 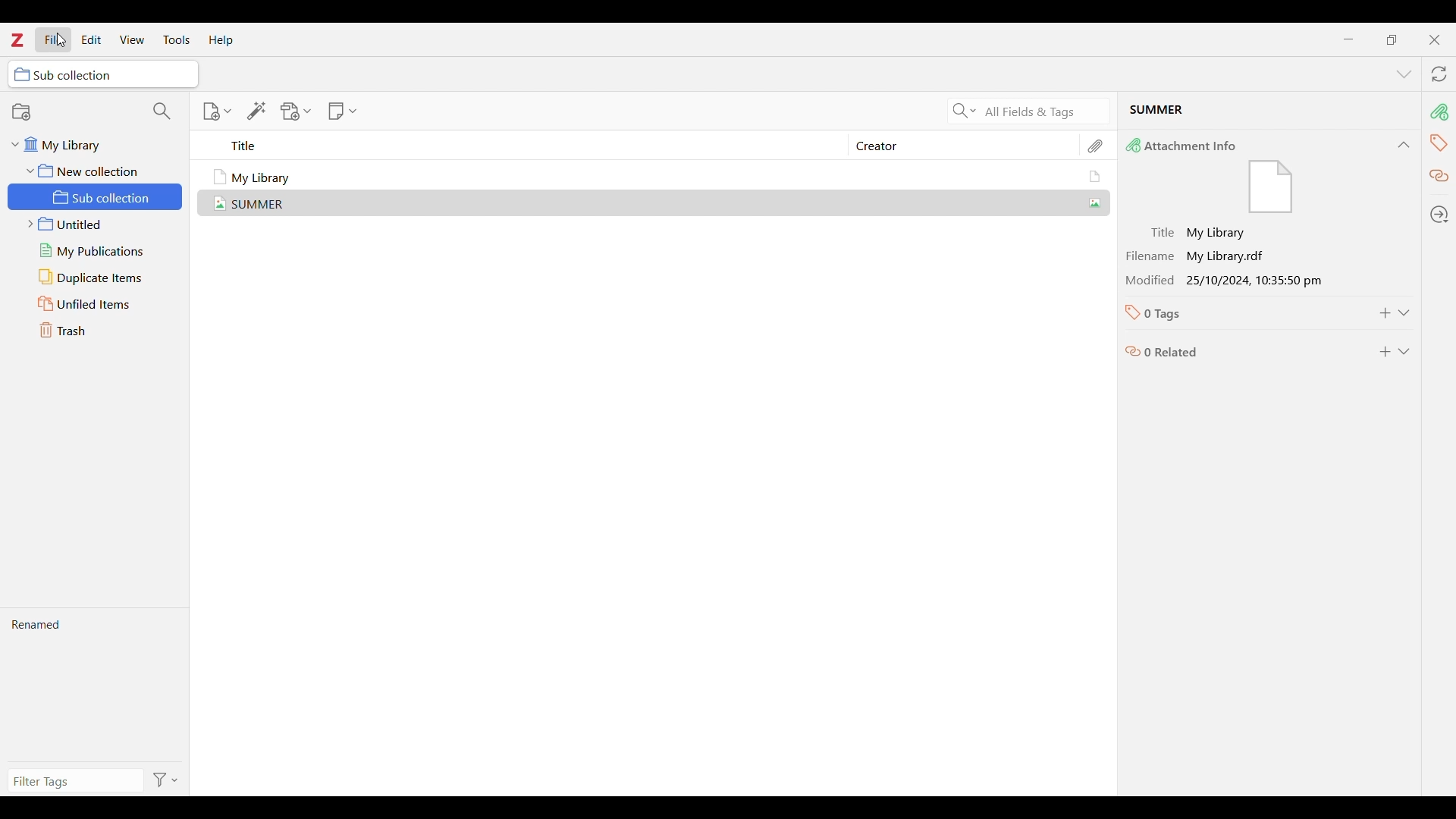 I want to click on List all tabs, so click(x=1404, y=74).